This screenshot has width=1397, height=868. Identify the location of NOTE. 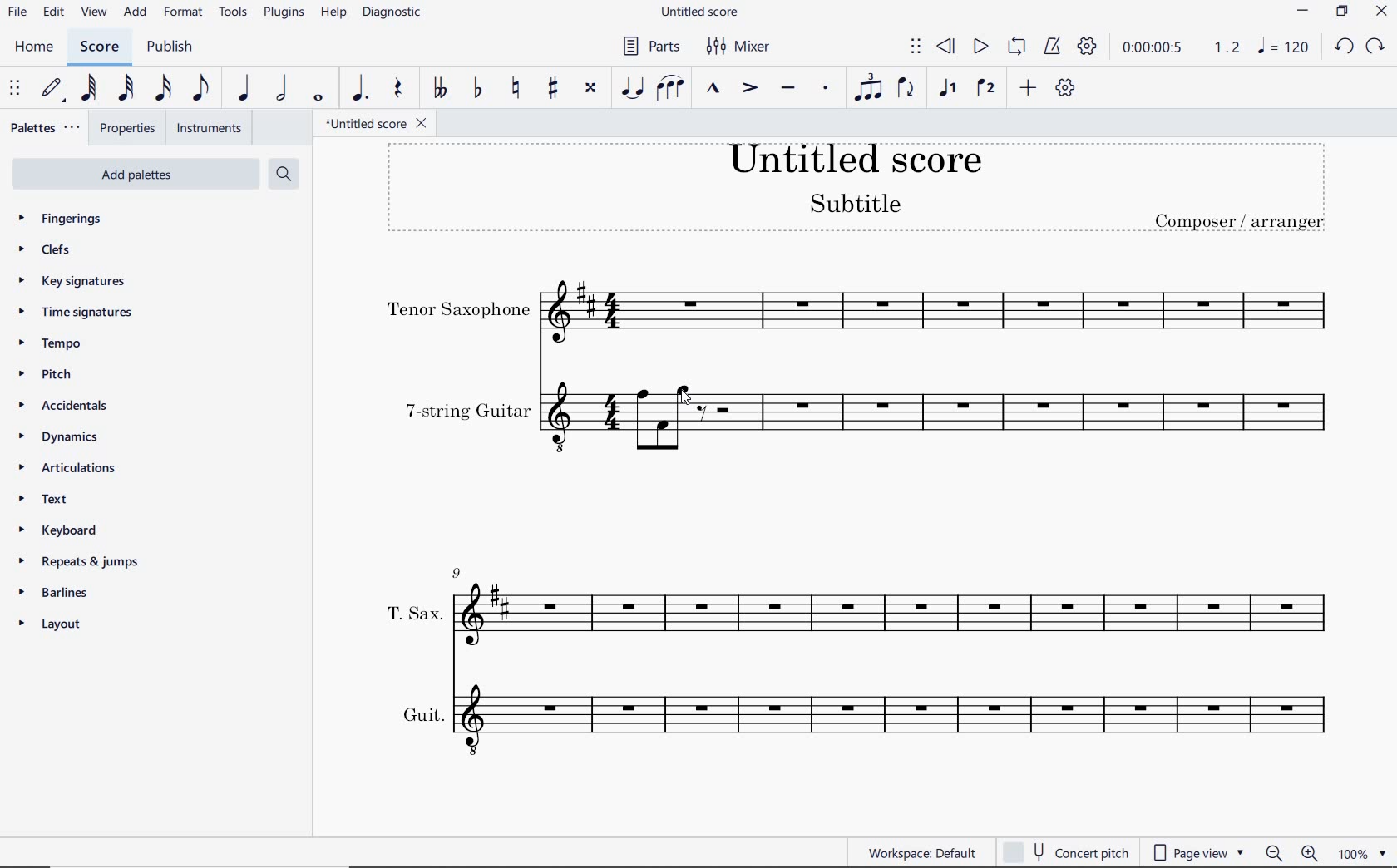
(1284, 47).